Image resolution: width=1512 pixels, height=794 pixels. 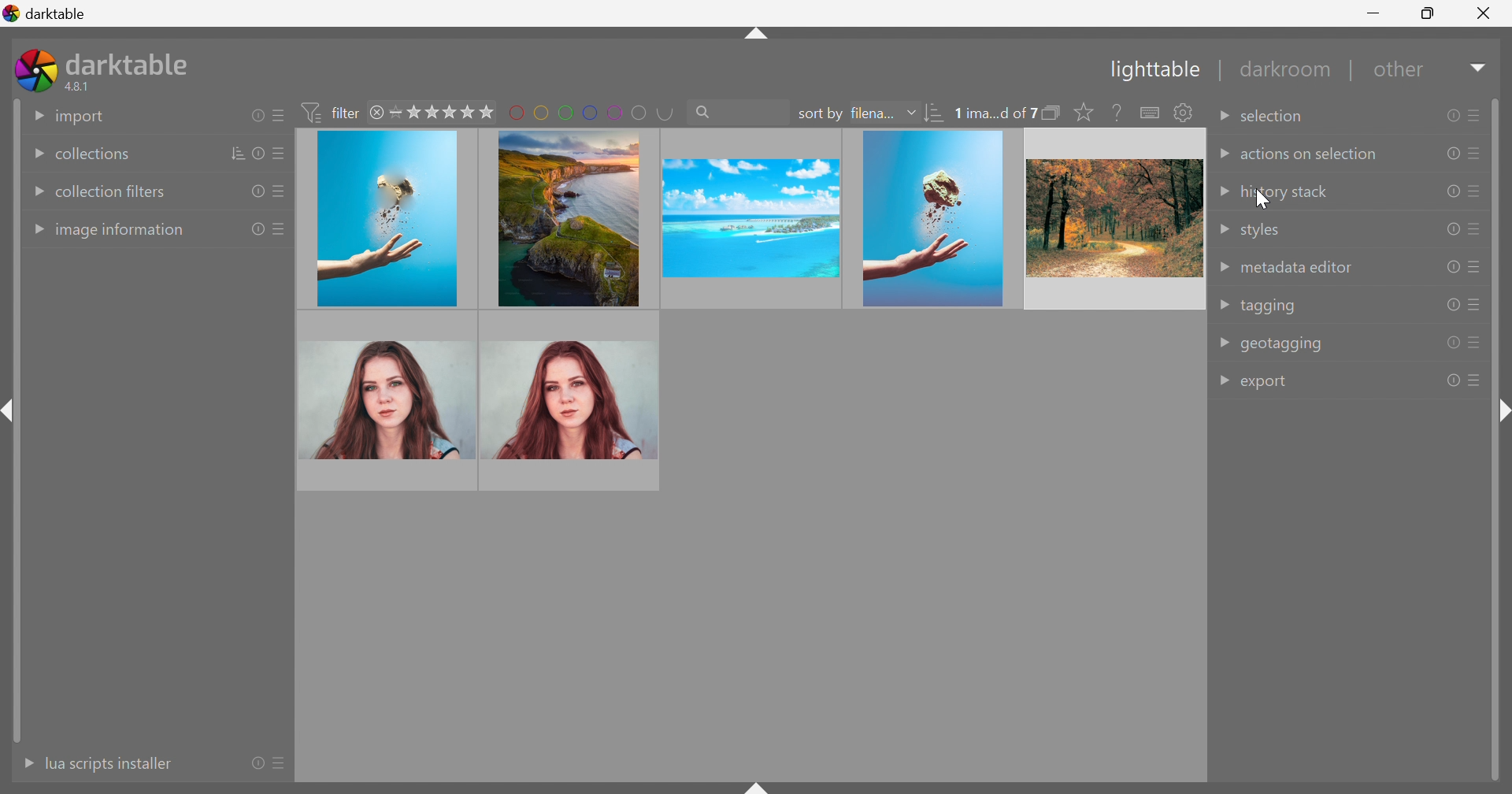 I want to click on presets, so click(x=276, y=194).